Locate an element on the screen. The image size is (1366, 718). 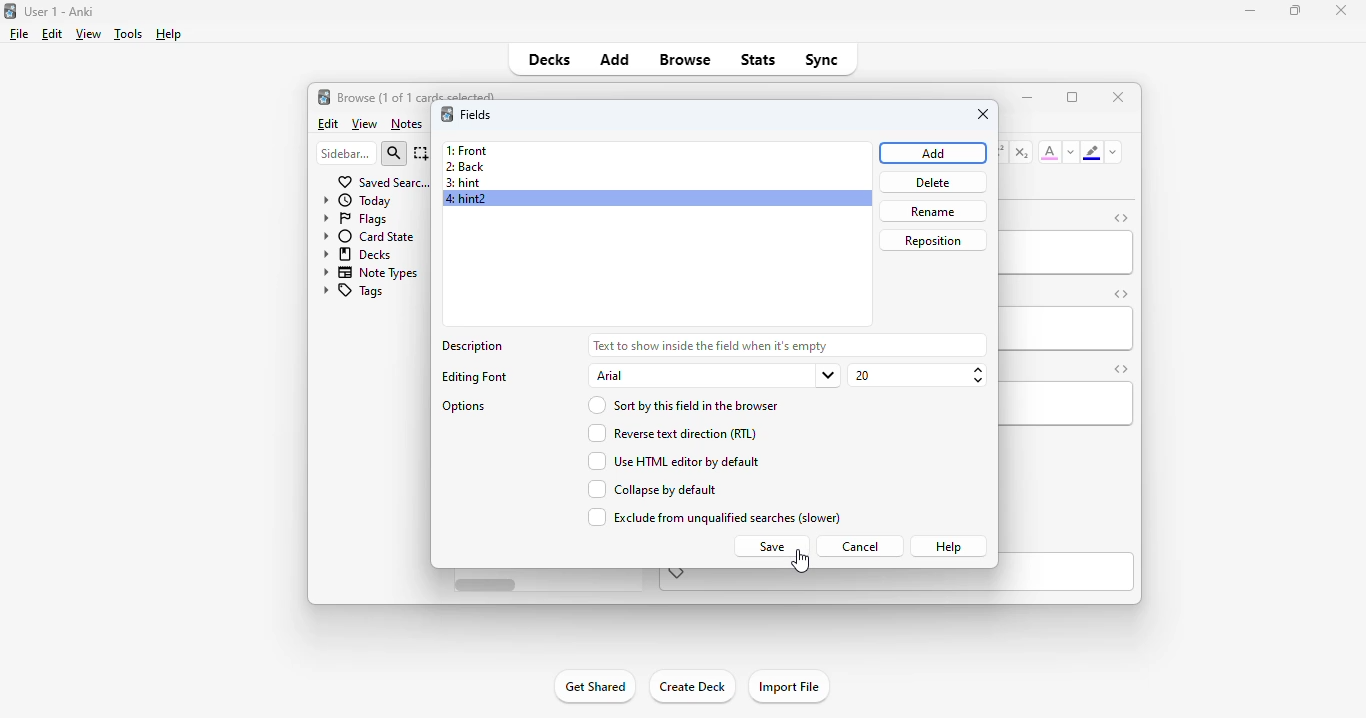
close is located at coordinates (1341, 10).